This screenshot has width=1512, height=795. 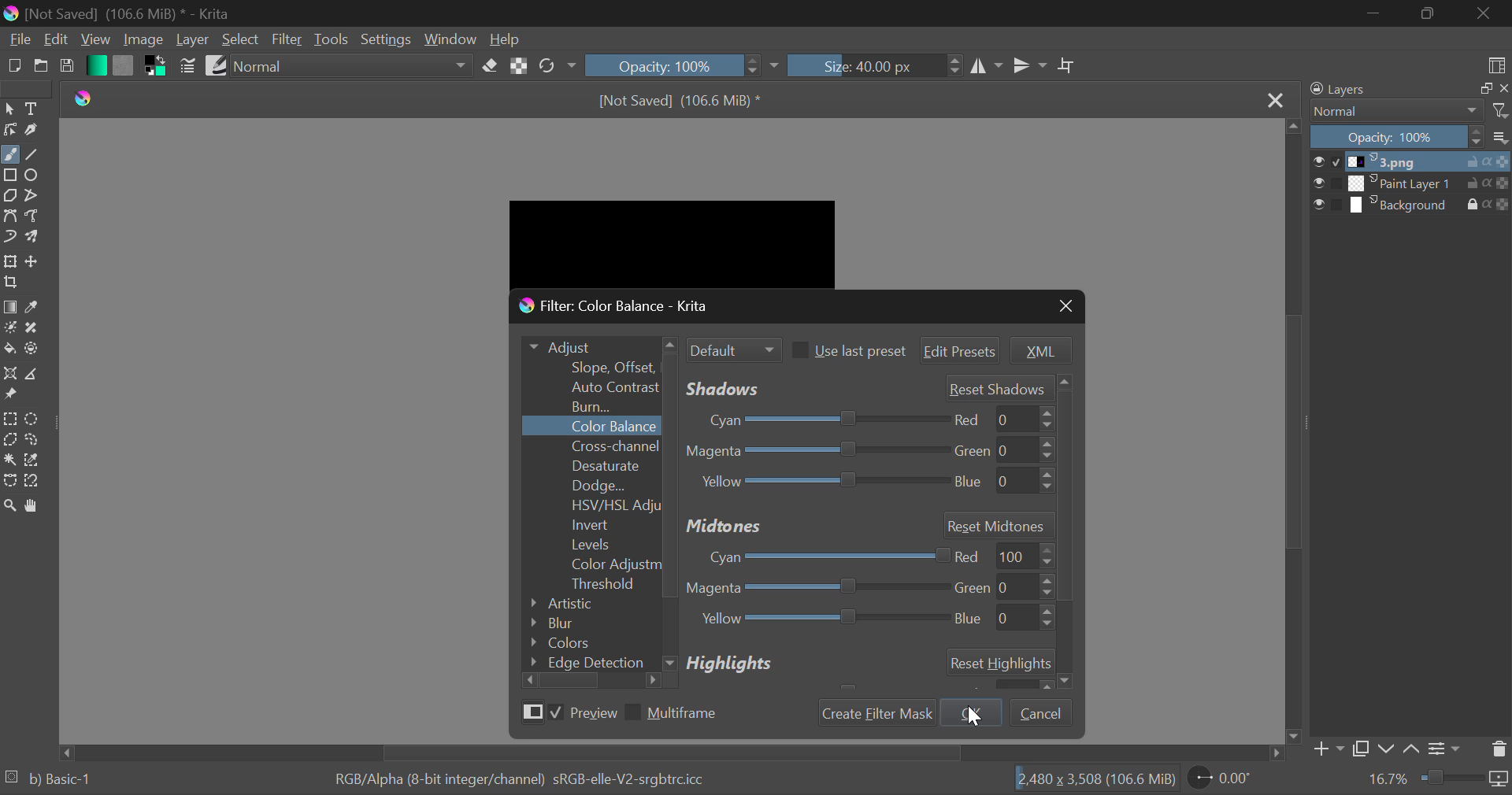 I want to click on Crop, so click(x=13, y=283).